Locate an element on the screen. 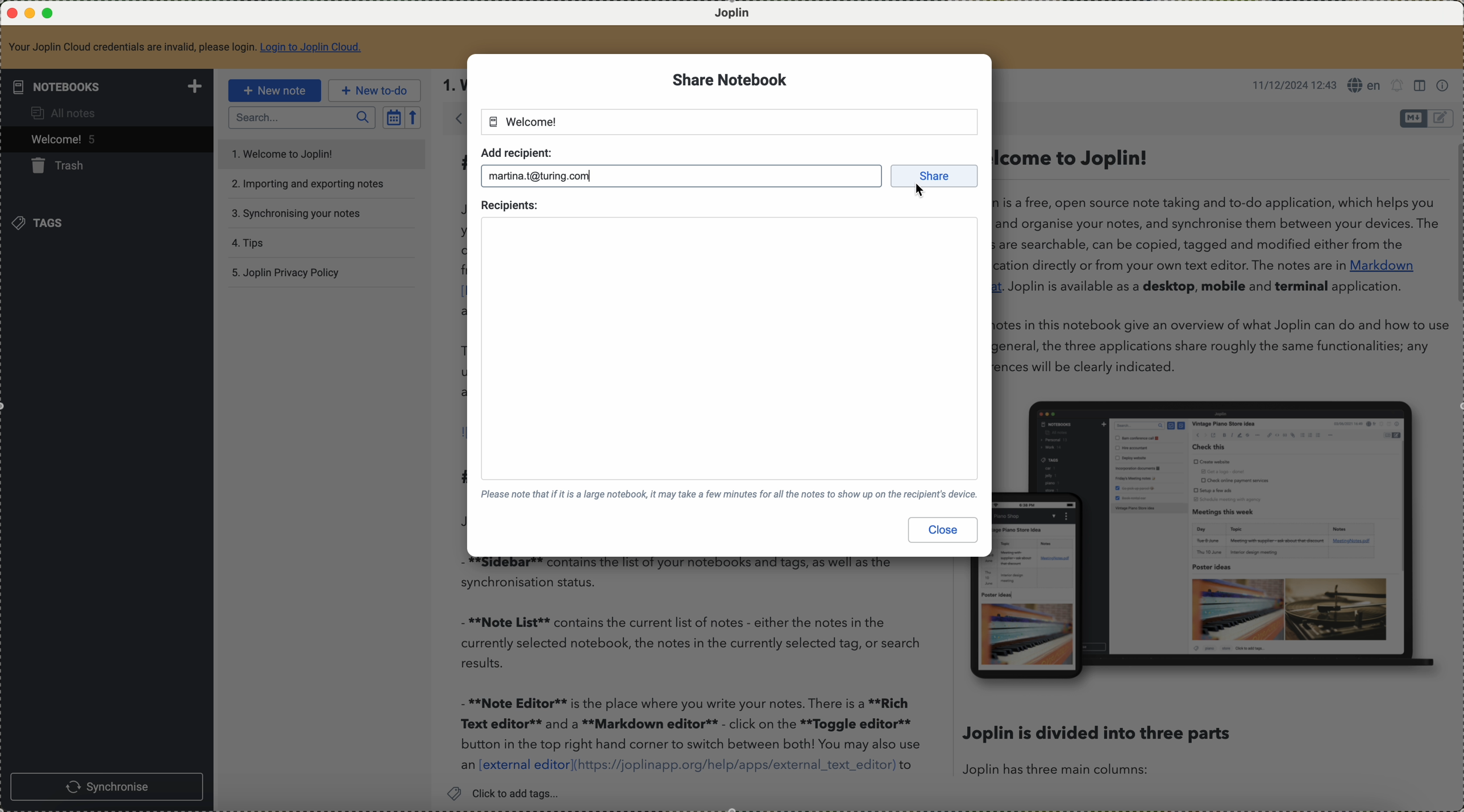 This screenshot has width=1464, height=812. search bar is located at coordinates (301, 118).